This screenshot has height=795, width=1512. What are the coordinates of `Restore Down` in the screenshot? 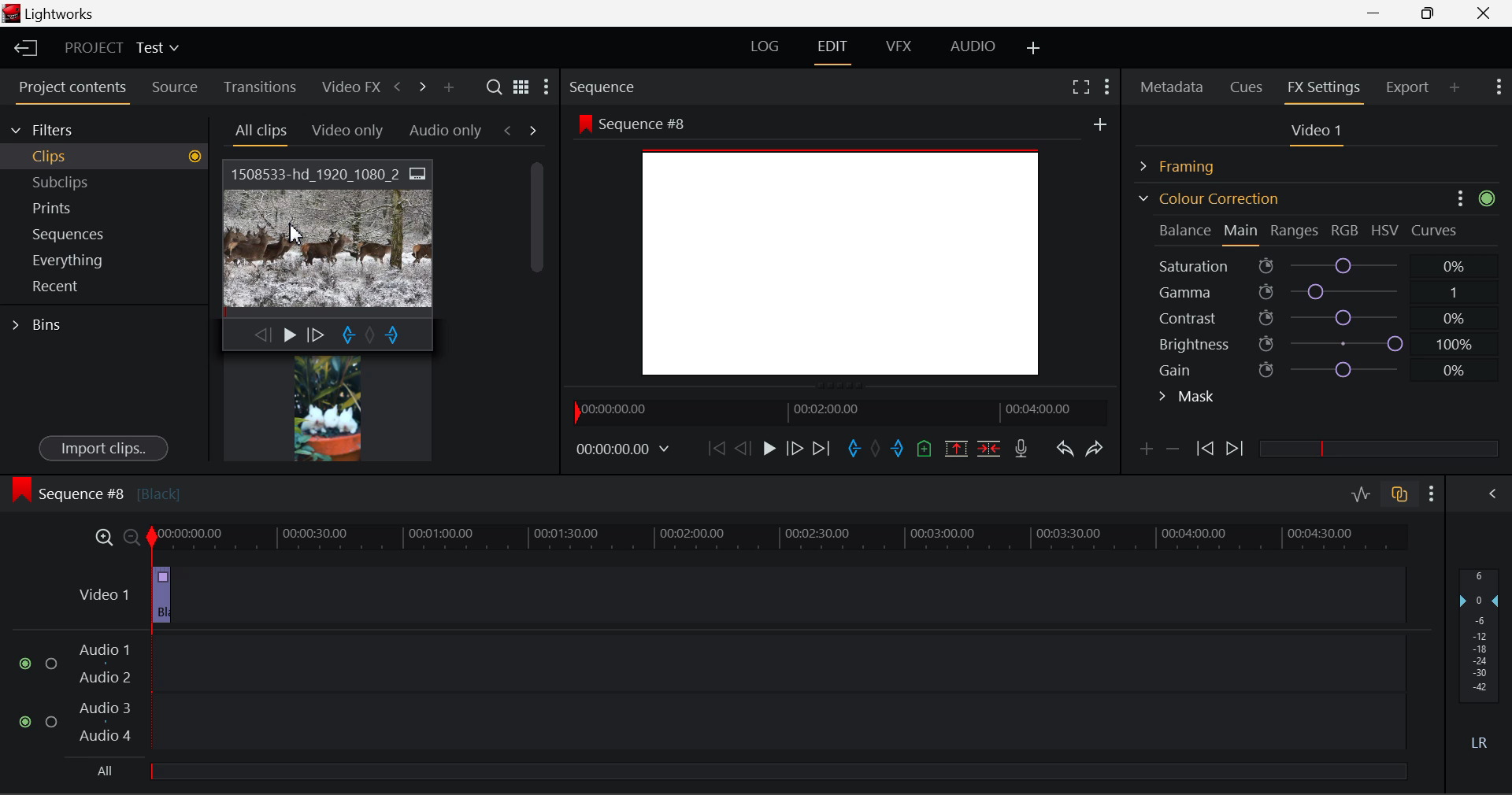 It's located at (1379, 13).